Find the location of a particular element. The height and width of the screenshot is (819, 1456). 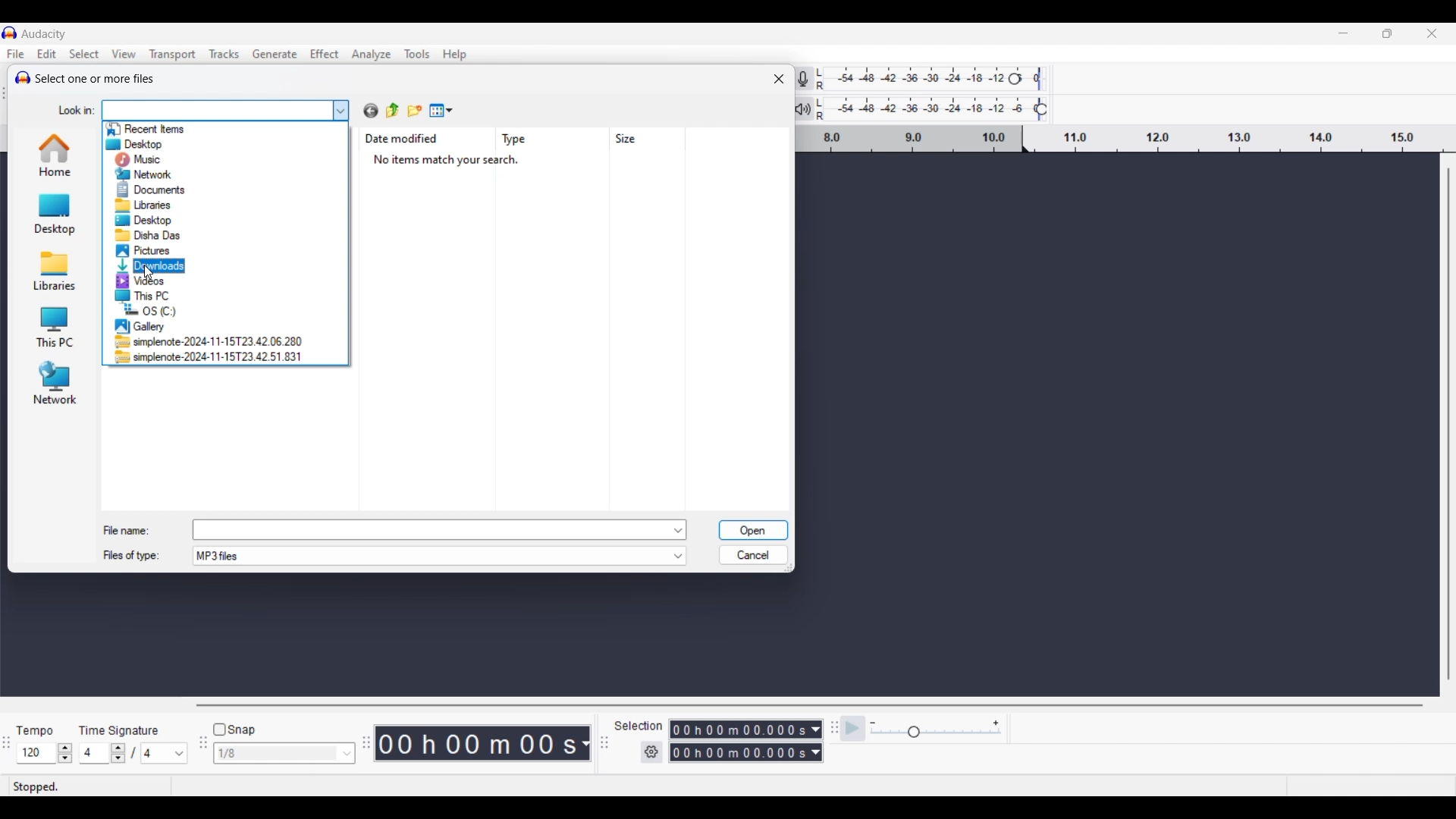

4/4 (select time signature) is located at coordinates (133, 753).